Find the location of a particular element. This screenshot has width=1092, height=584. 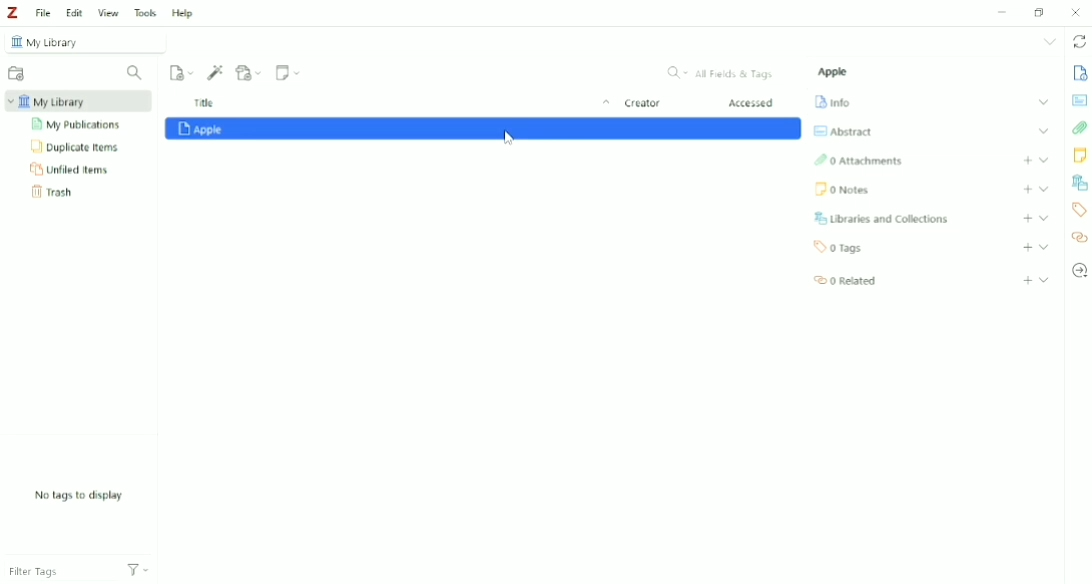

Attachments is located at coordinates (1079, 128).